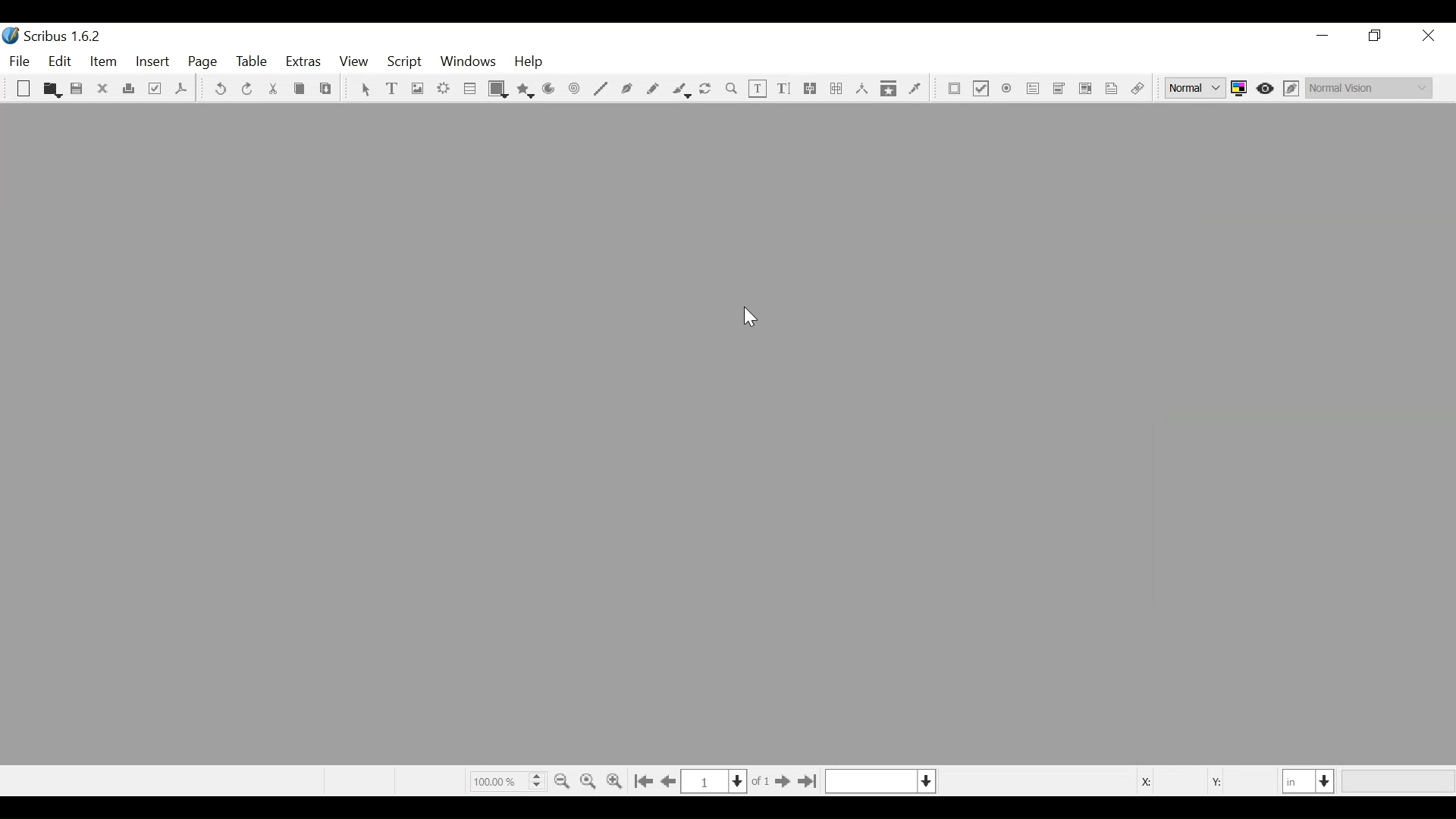  I want to click on Help, so click(529, 63).